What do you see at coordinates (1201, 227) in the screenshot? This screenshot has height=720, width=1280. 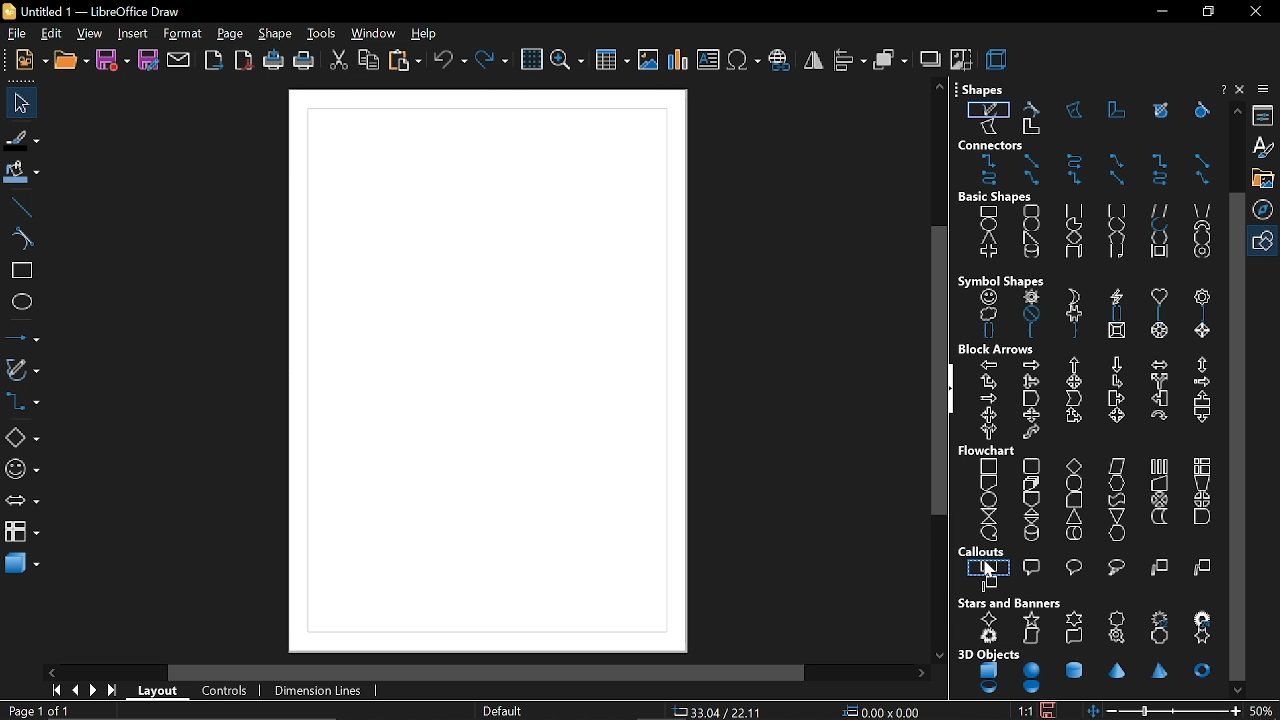 I see `block arc` at bounding box center [1201, 227].